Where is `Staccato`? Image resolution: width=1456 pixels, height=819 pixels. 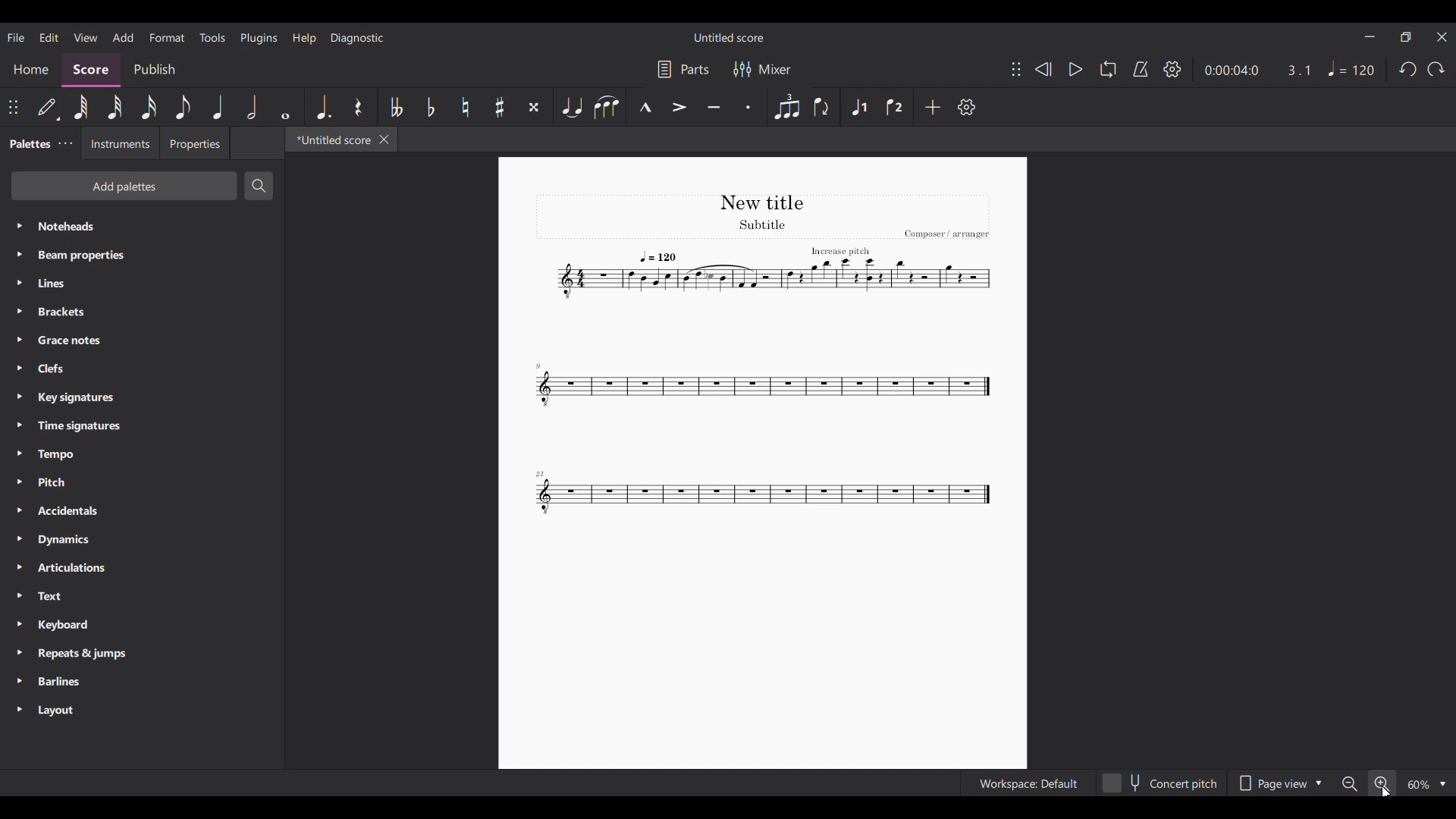 Staccato is located at coordinates (748, 108).